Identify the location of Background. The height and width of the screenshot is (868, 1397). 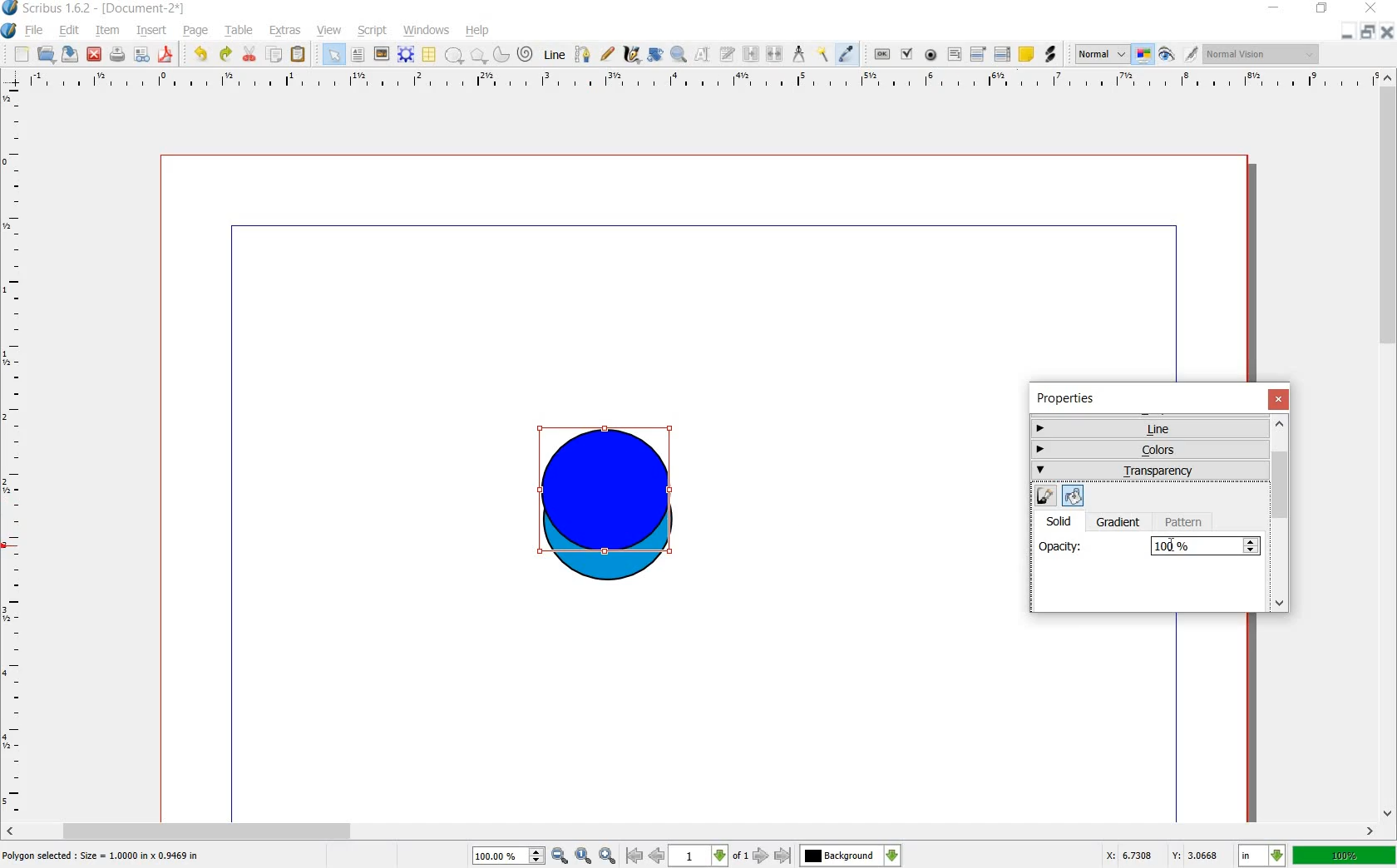
(851, 856).